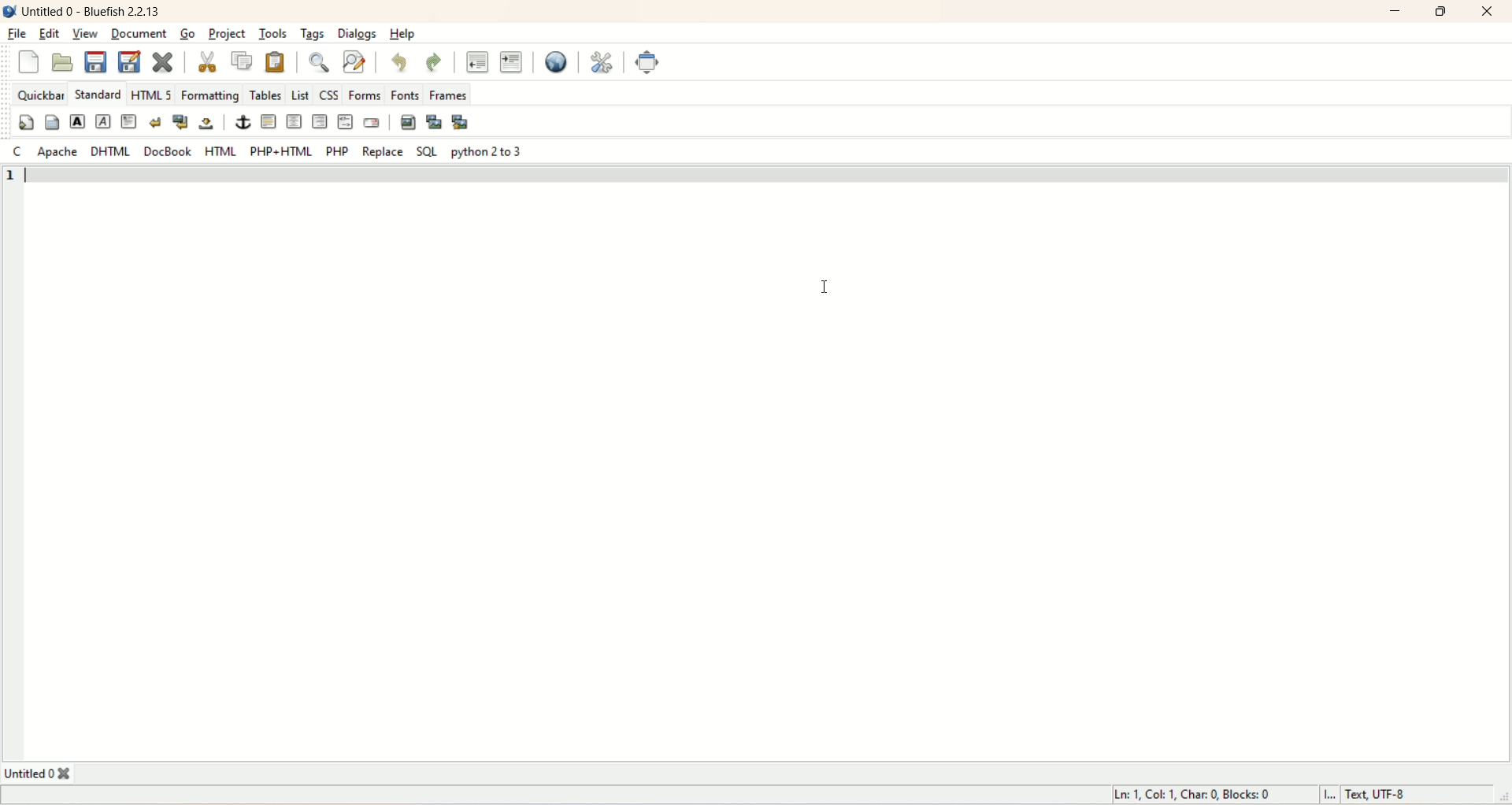  I want to click on new, so click(27, 59).